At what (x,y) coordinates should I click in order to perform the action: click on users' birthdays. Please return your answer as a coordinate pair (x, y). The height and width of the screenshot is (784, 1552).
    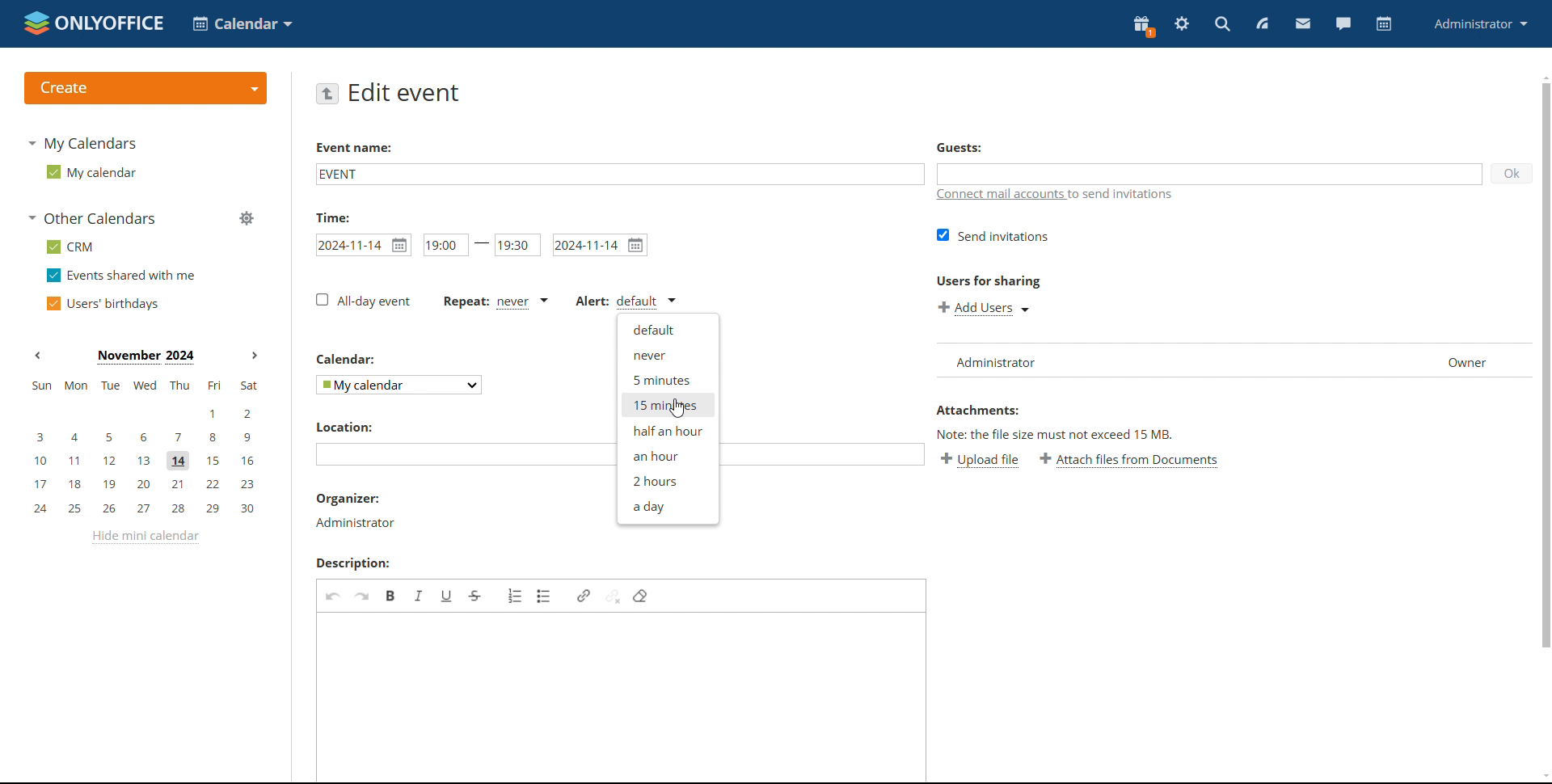
    Looking at the image, I should click on (100, 304).